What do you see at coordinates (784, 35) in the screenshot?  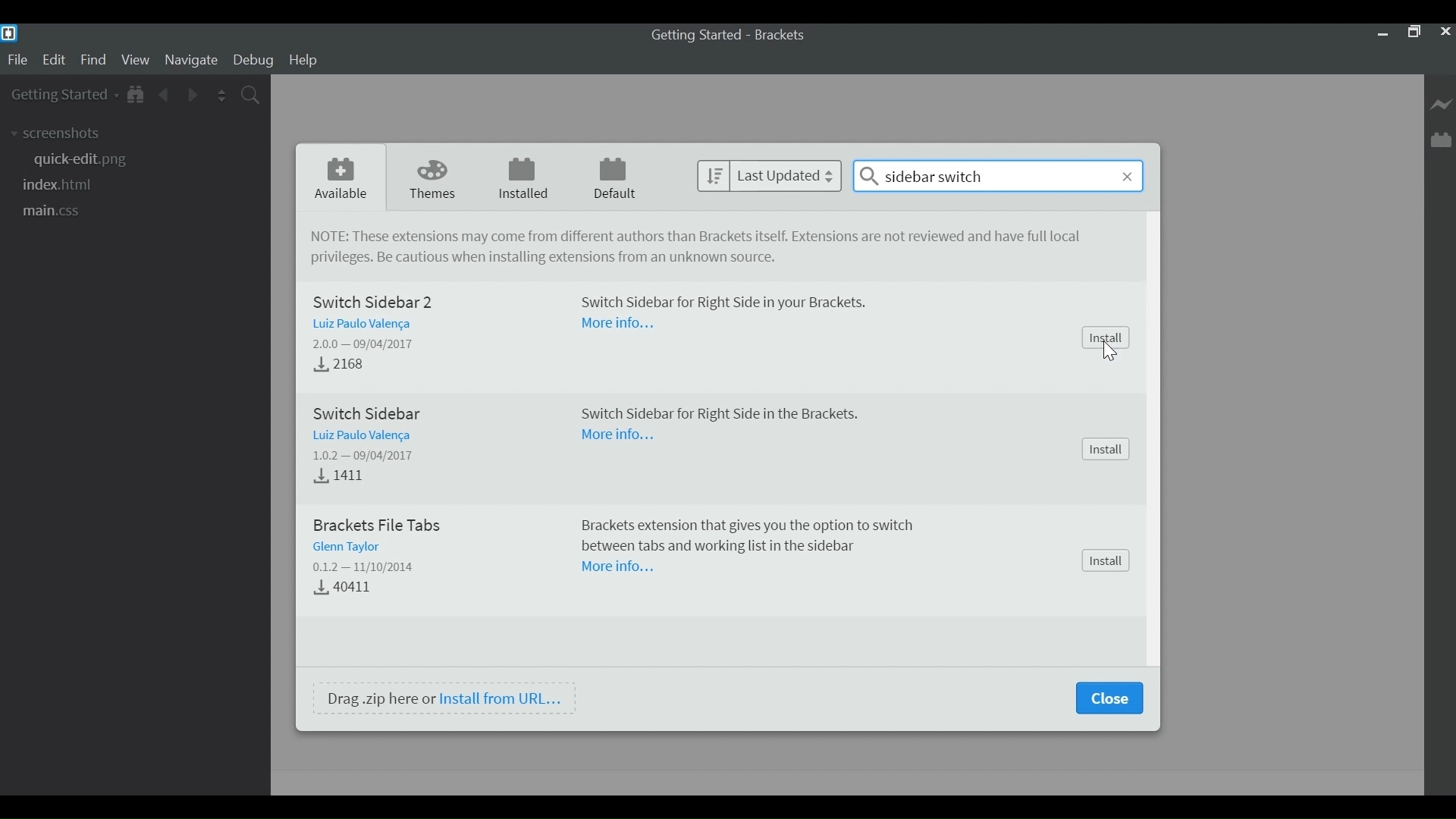 I see `Brackets` at bounding box center [784, 35].